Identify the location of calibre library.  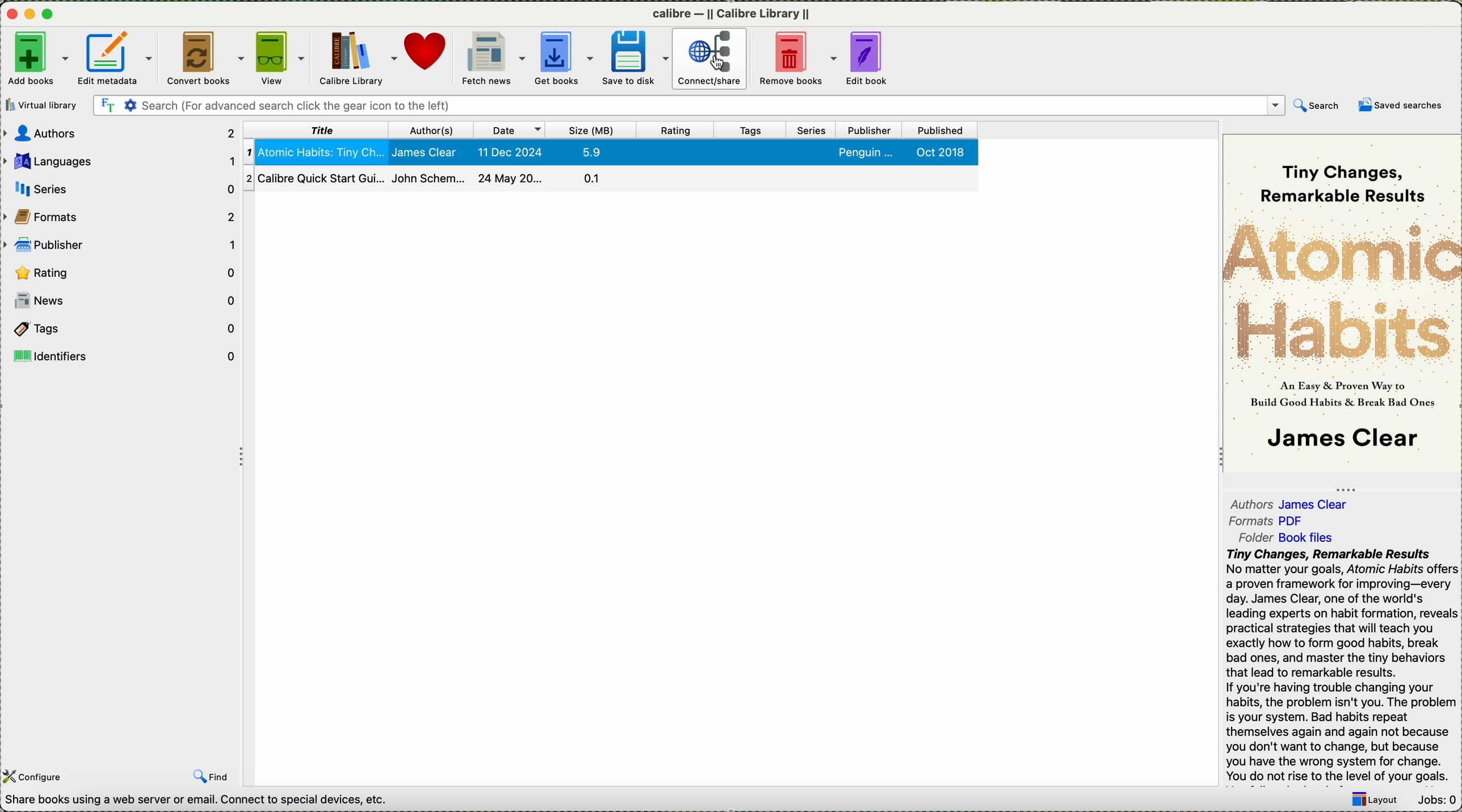
(359, 57).